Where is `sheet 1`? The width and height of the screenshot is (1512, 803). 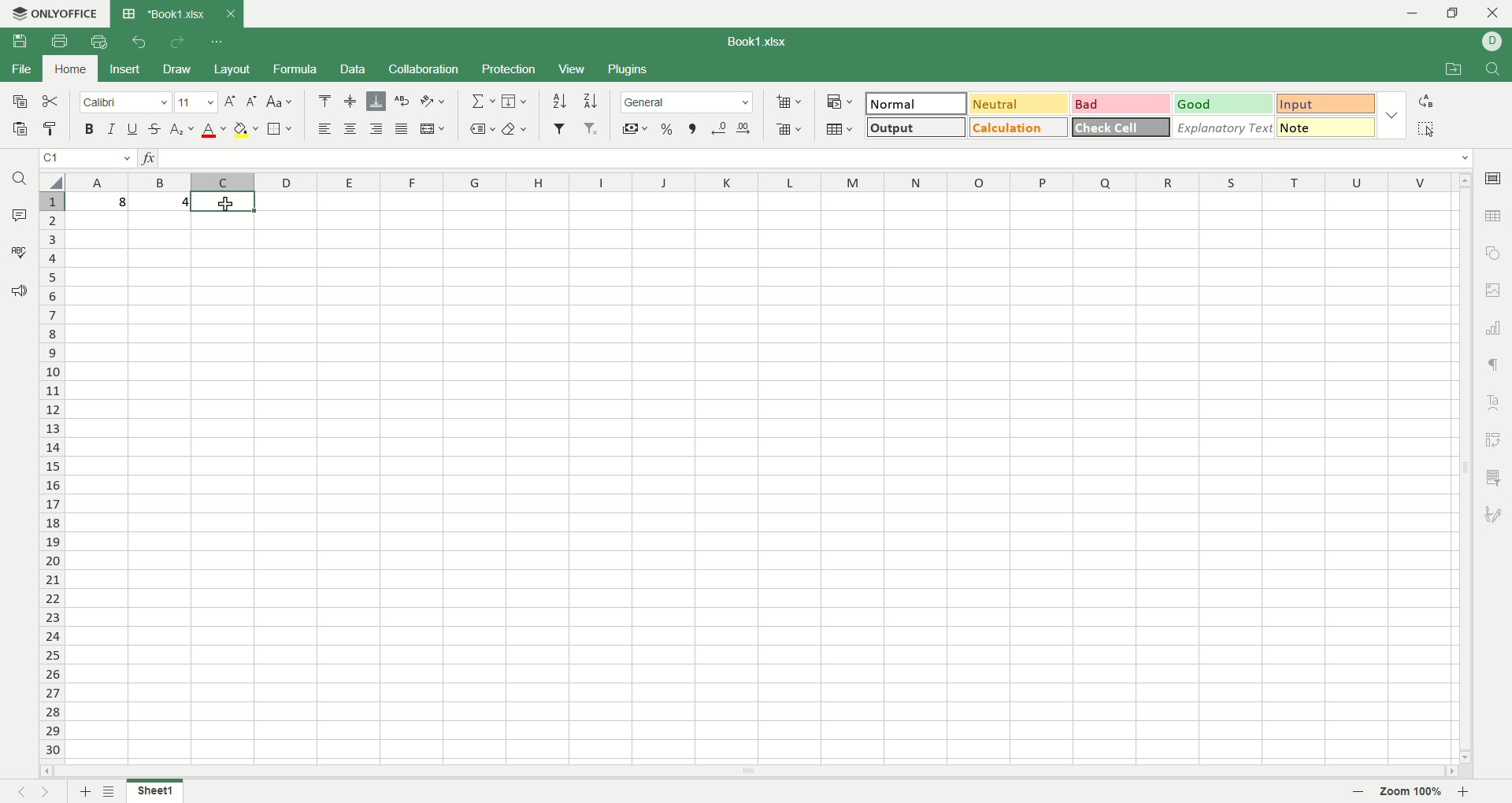 sheet 1 is located at coordinates (155, 790).